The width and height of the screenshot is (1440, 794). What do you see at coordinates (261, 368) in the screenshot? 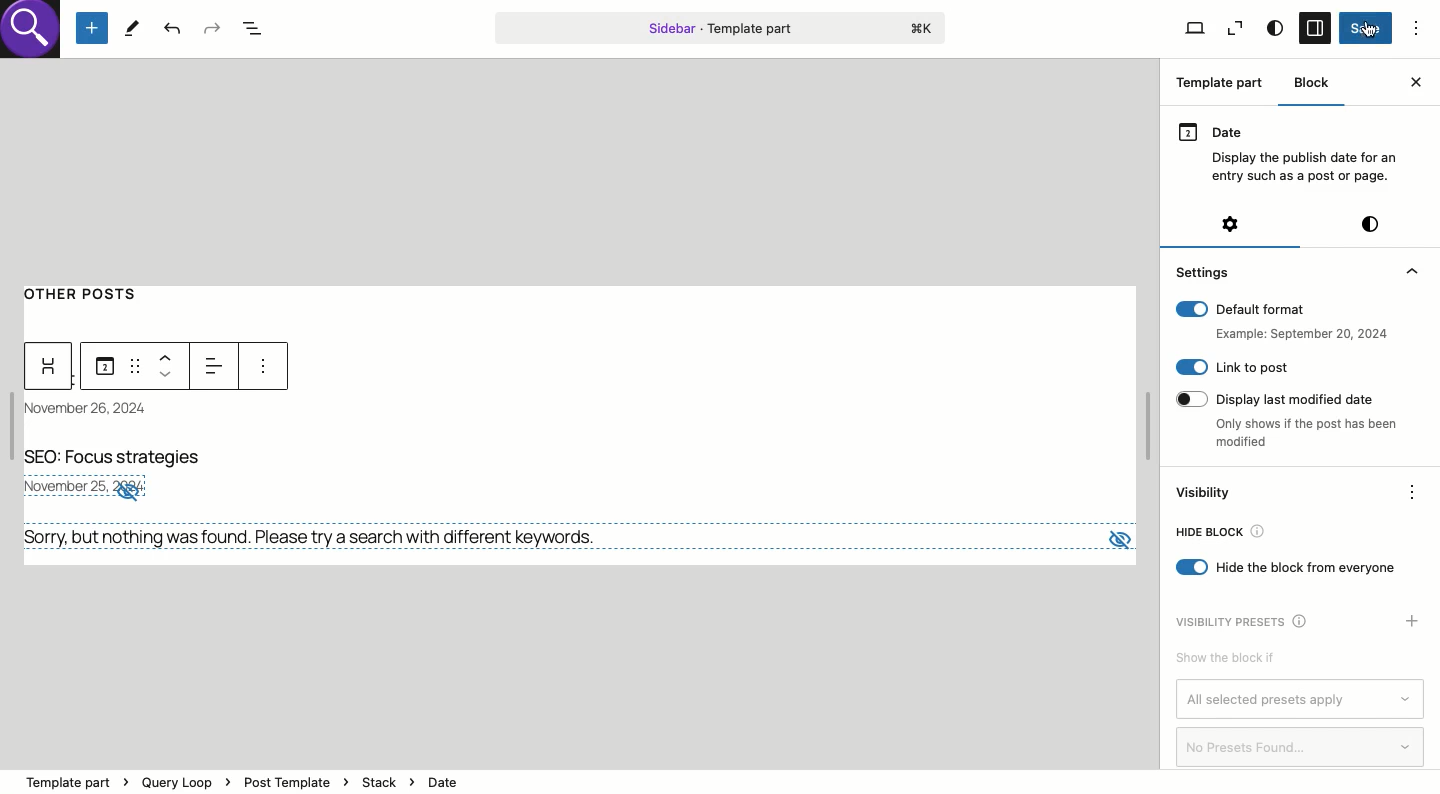
I see `more options` at bounding box center [261, 368].